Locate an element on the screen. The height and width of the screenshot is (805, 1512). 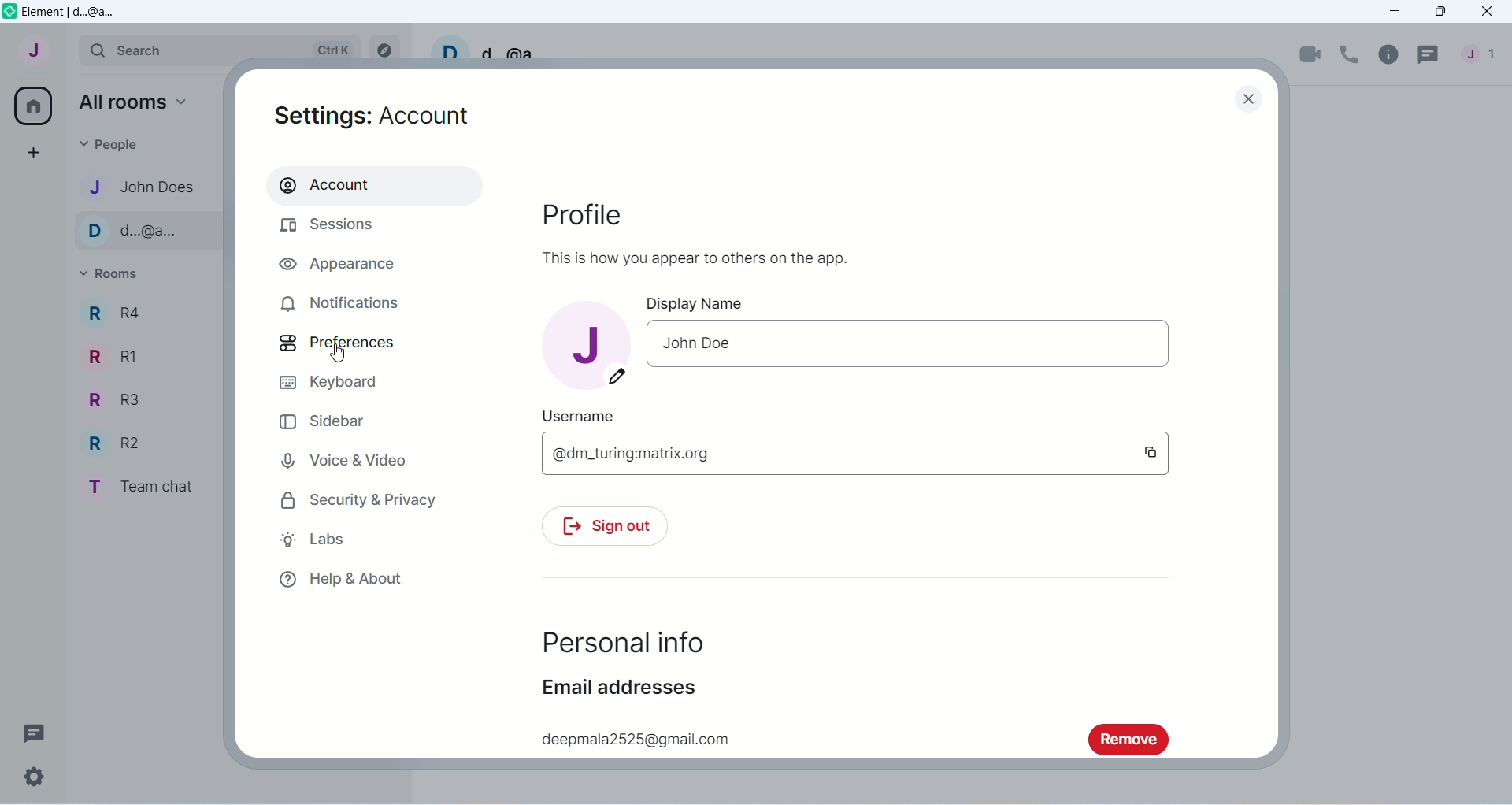
Preferences is located at coordinates (338, 348).